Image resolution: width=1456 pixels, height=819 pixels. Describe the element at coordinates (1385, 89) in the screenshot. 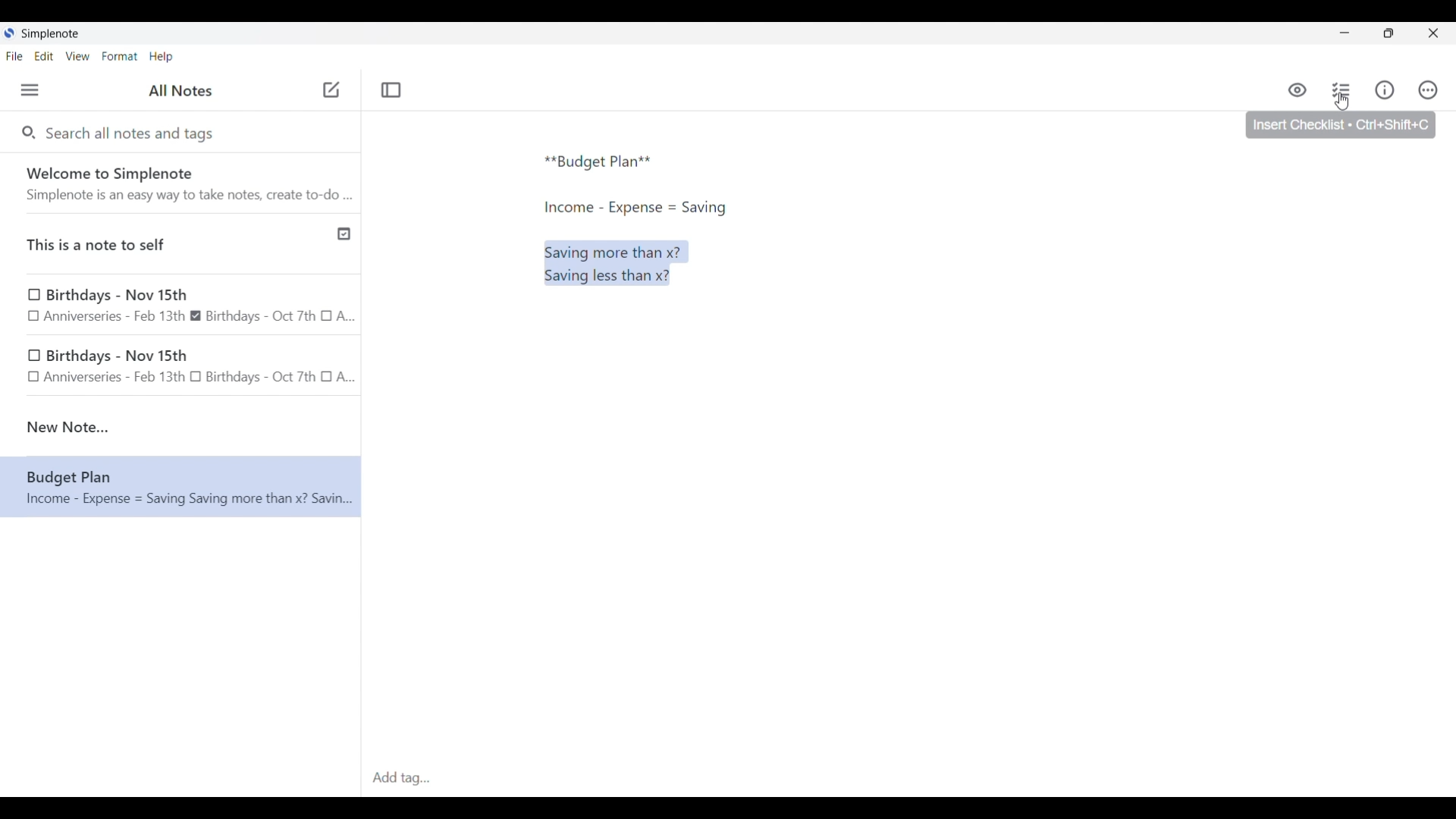

I see `Info` at that location.